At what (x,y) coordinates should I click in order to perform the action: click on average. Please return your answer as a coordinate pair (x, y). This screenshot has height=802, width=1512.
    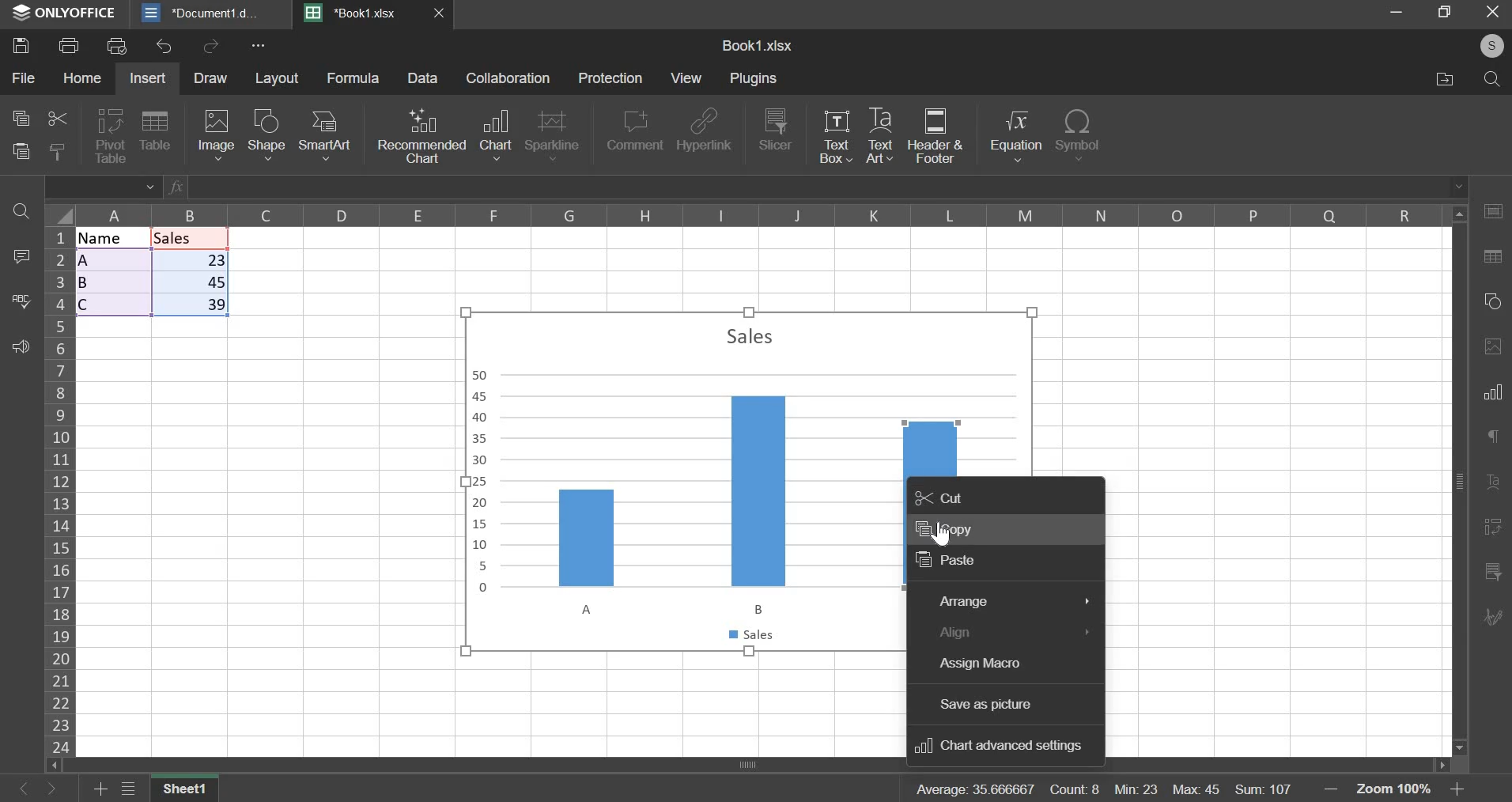
    Looking at the image, I should click on (977, 786).